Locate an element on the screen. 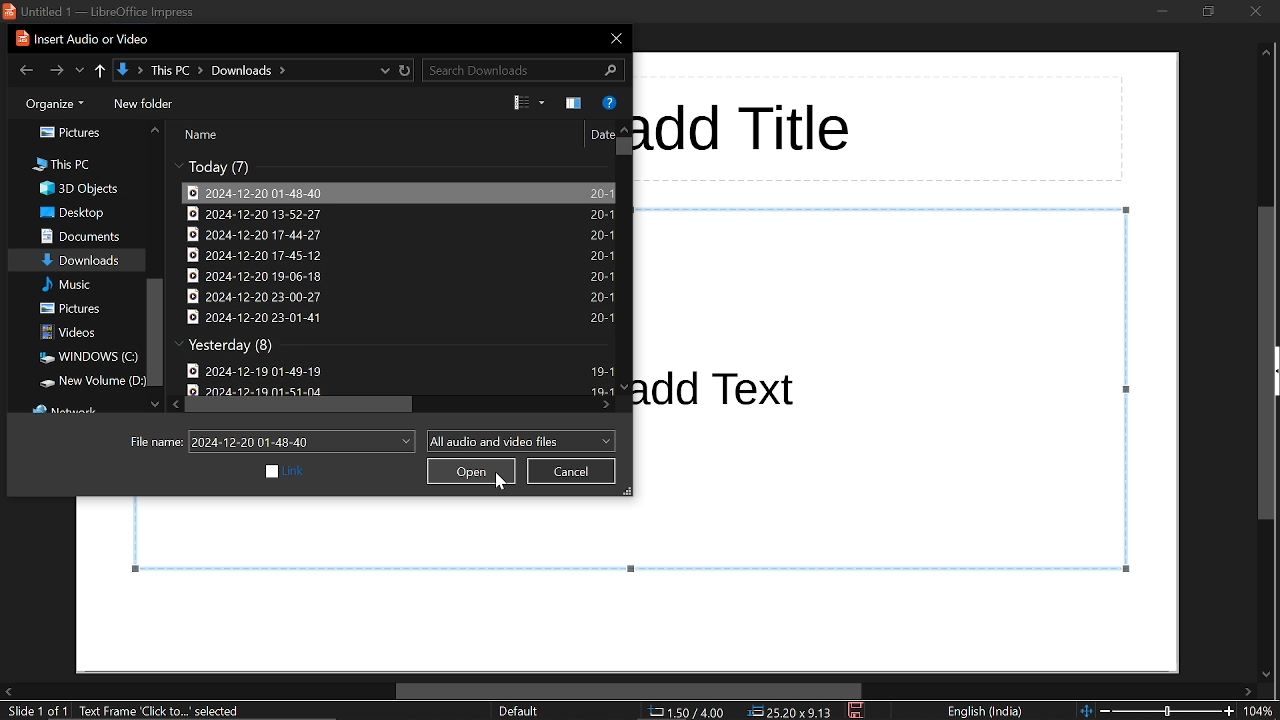 The width and height of the screenshot is (1280, 720). search is located at coordinates (524, 69).